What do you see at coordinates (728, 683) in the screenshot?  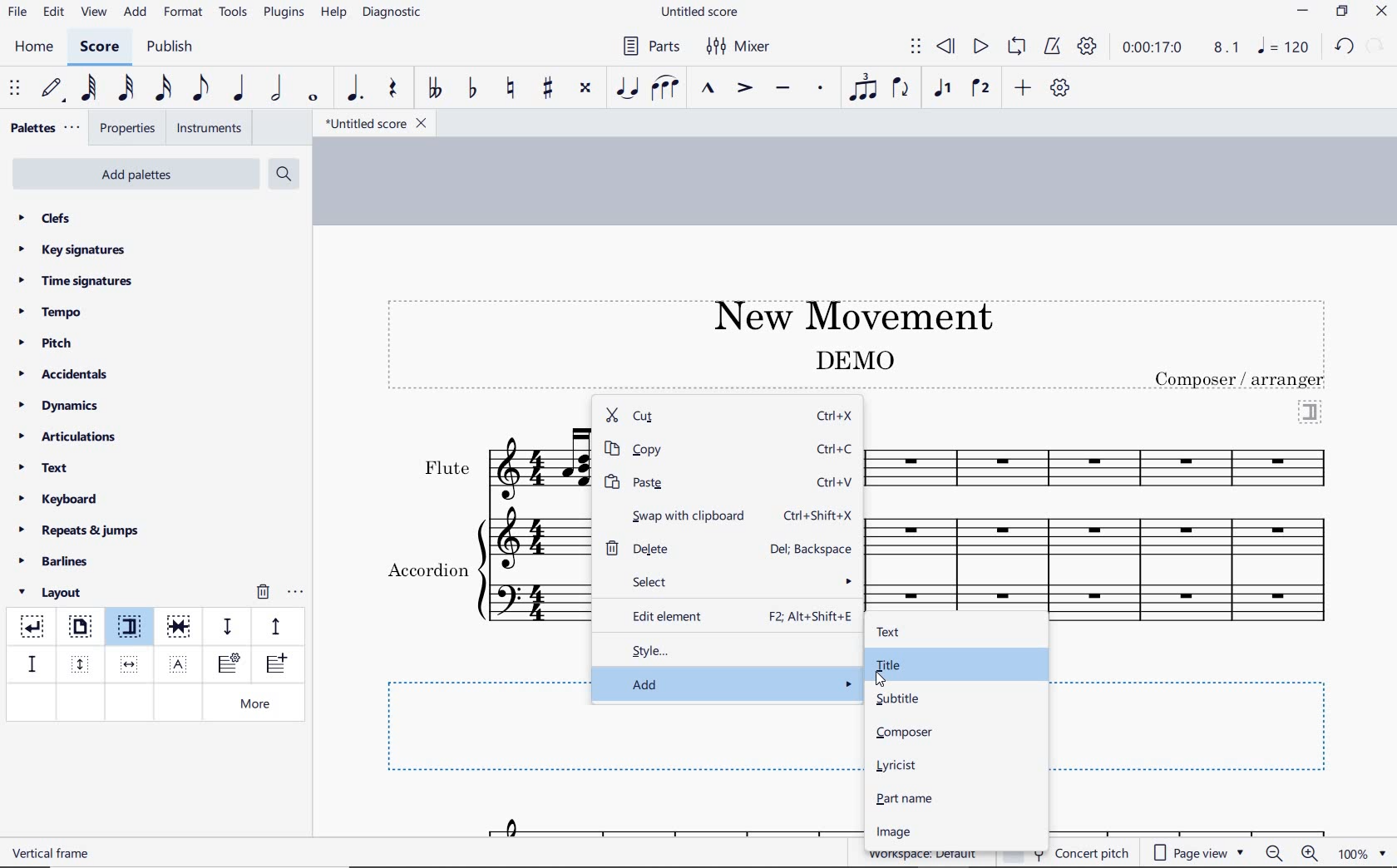 I see `add` at bounding box center [728, 683].